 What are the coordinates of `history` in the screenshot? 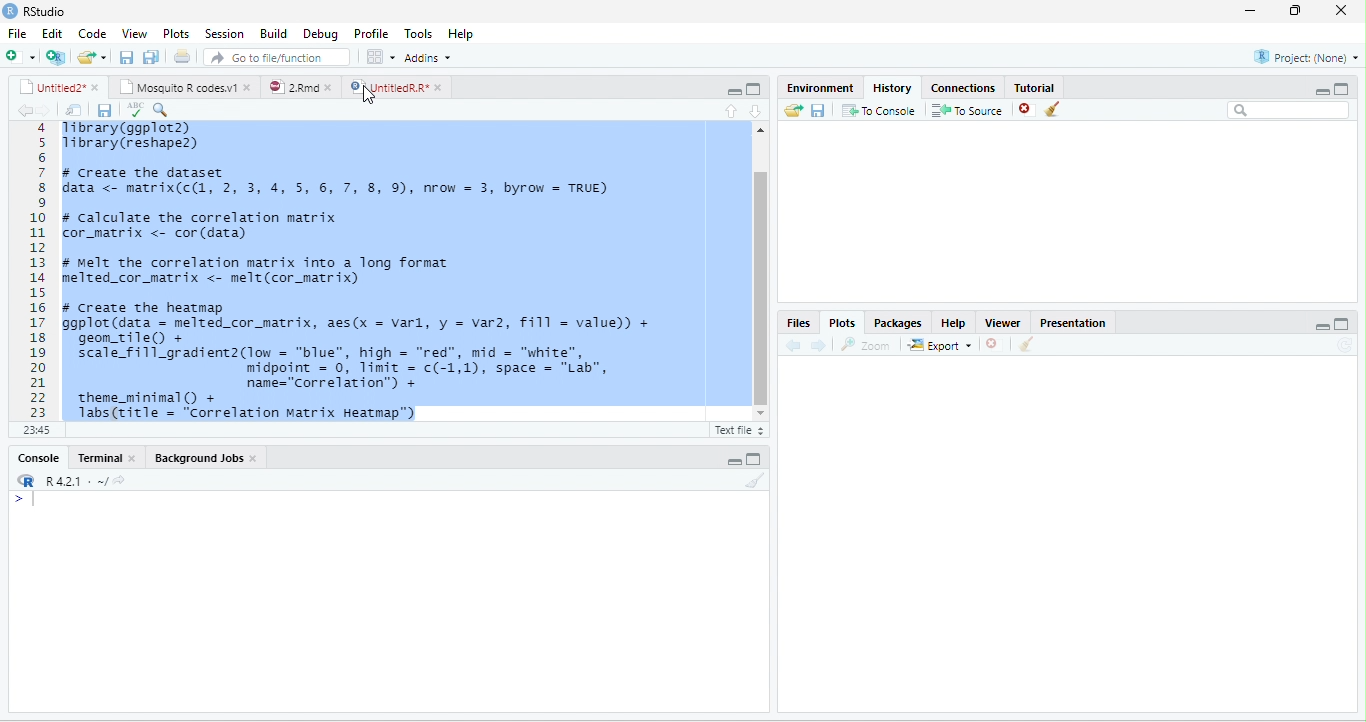 It's located at (890, 86).